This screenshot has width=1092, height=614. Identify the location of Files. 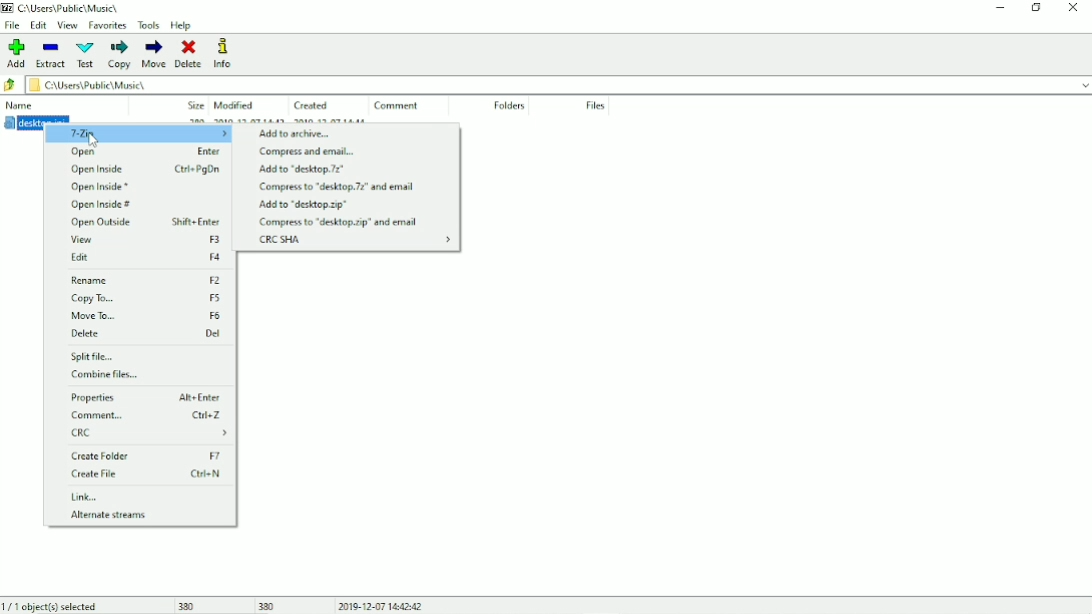
(595, 106).